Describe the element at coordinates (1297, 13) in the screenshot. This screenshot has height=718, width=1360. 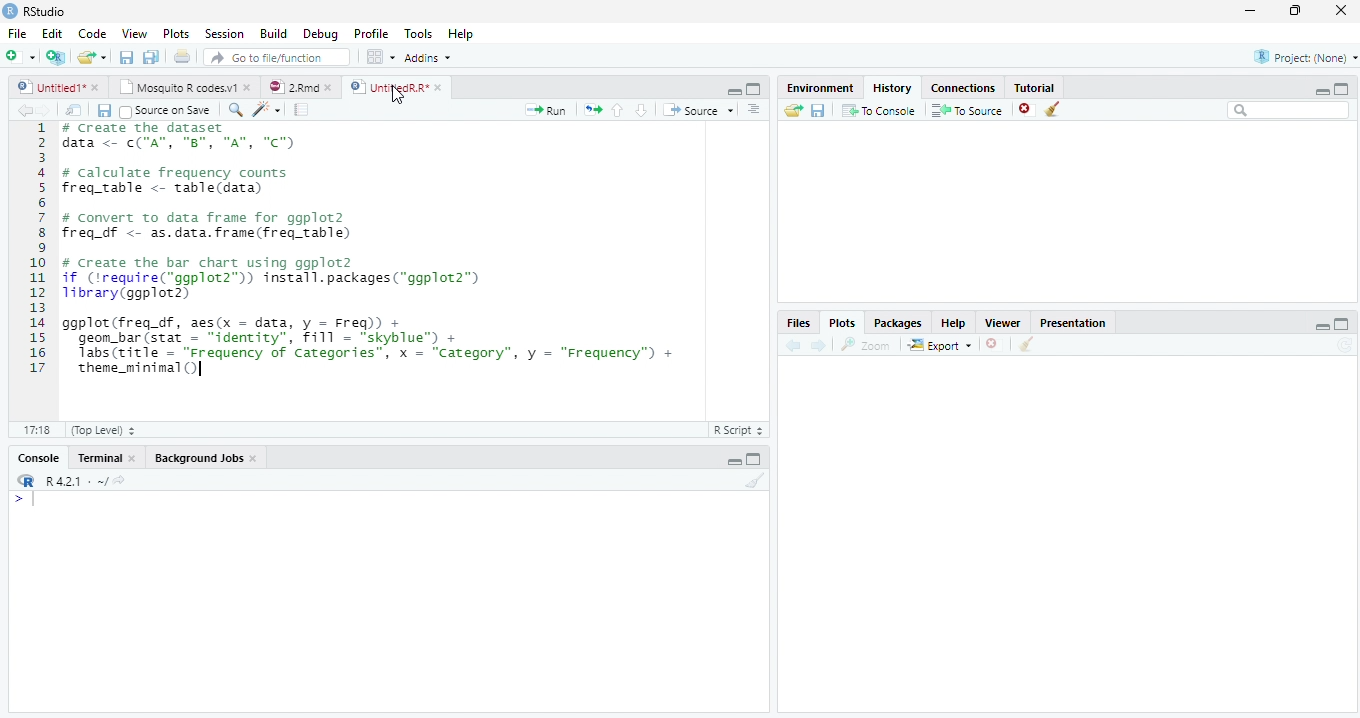
I see `Maximize` at that location.